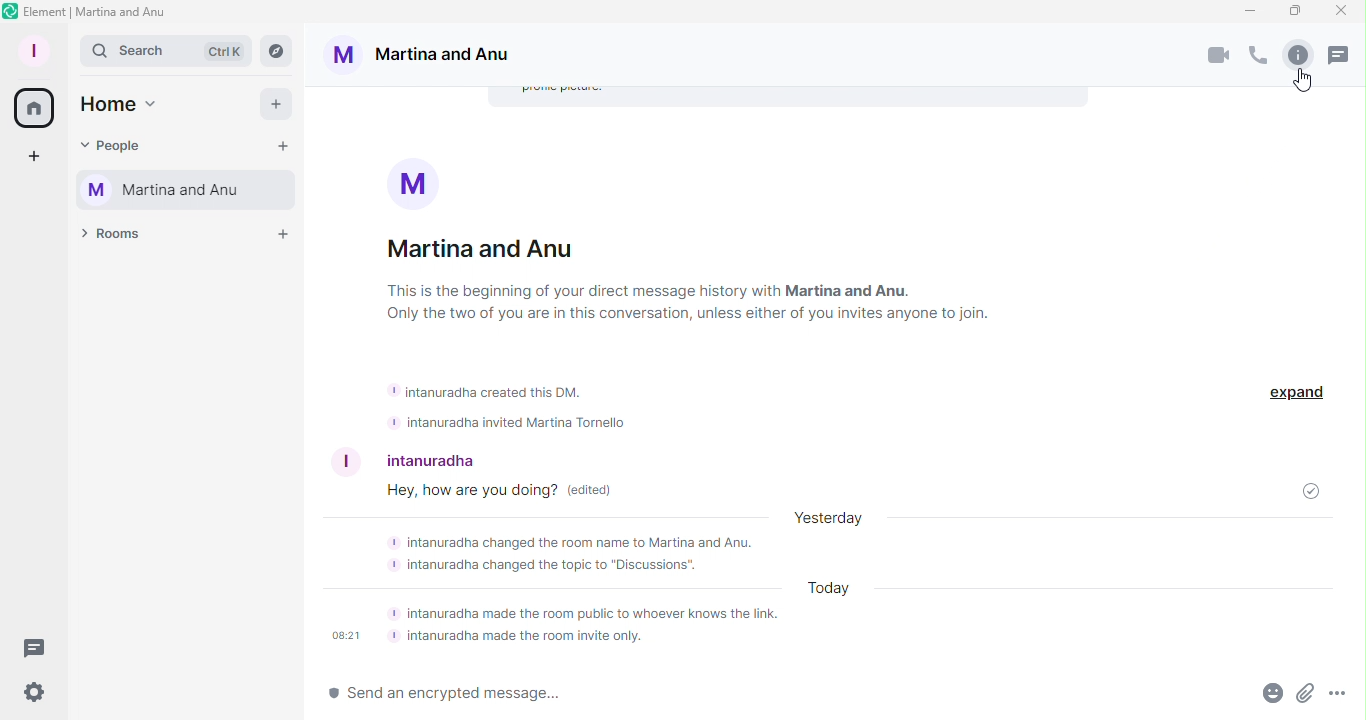 The image size is (1366, 720). I want to click on Message, so click(488, 494).